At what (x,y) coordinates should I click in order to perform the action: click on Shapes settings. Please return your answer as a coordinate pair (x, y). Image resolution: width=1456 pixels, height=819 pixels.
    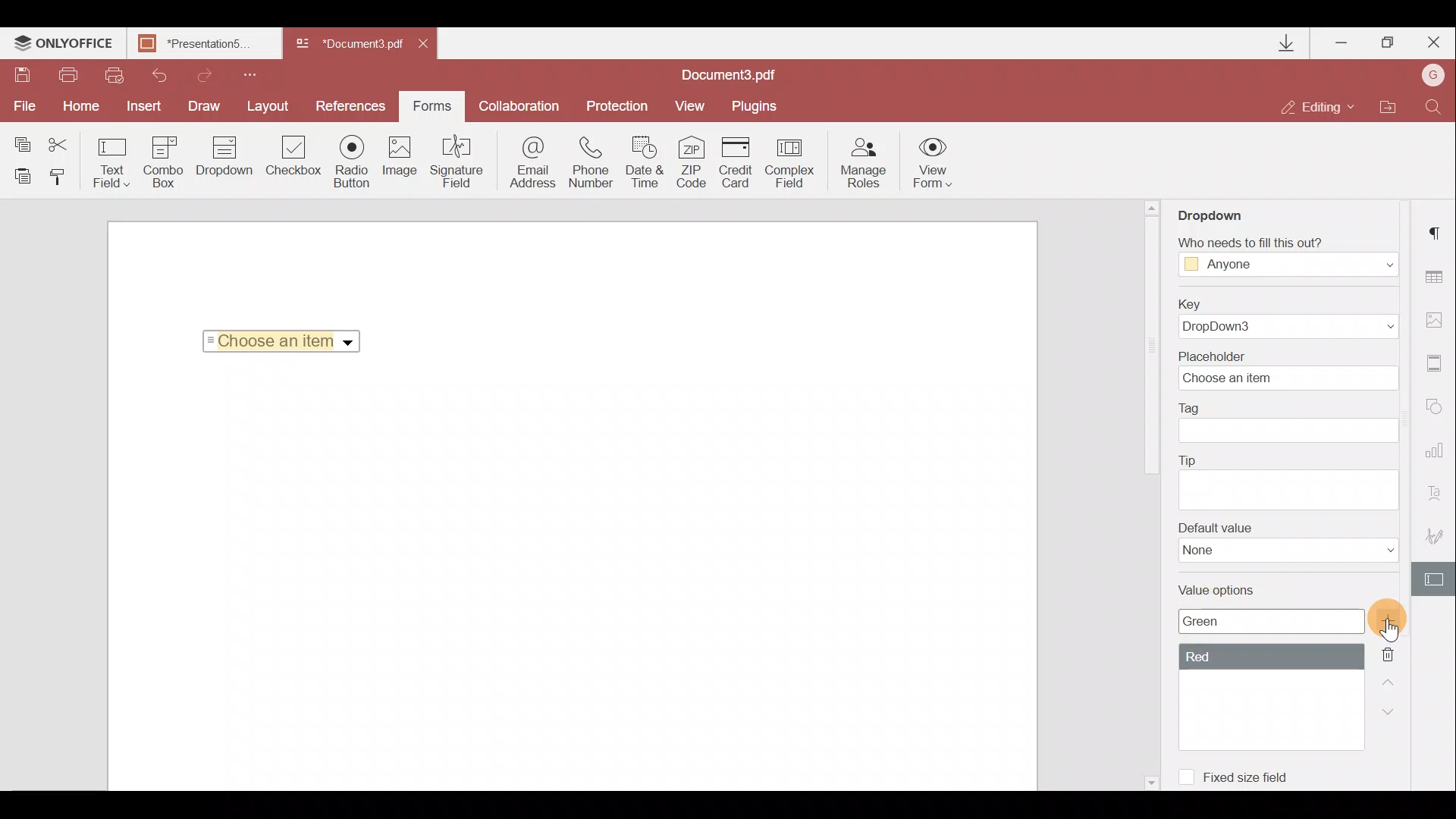
    Looking at the image, I should click on (1439, 408).